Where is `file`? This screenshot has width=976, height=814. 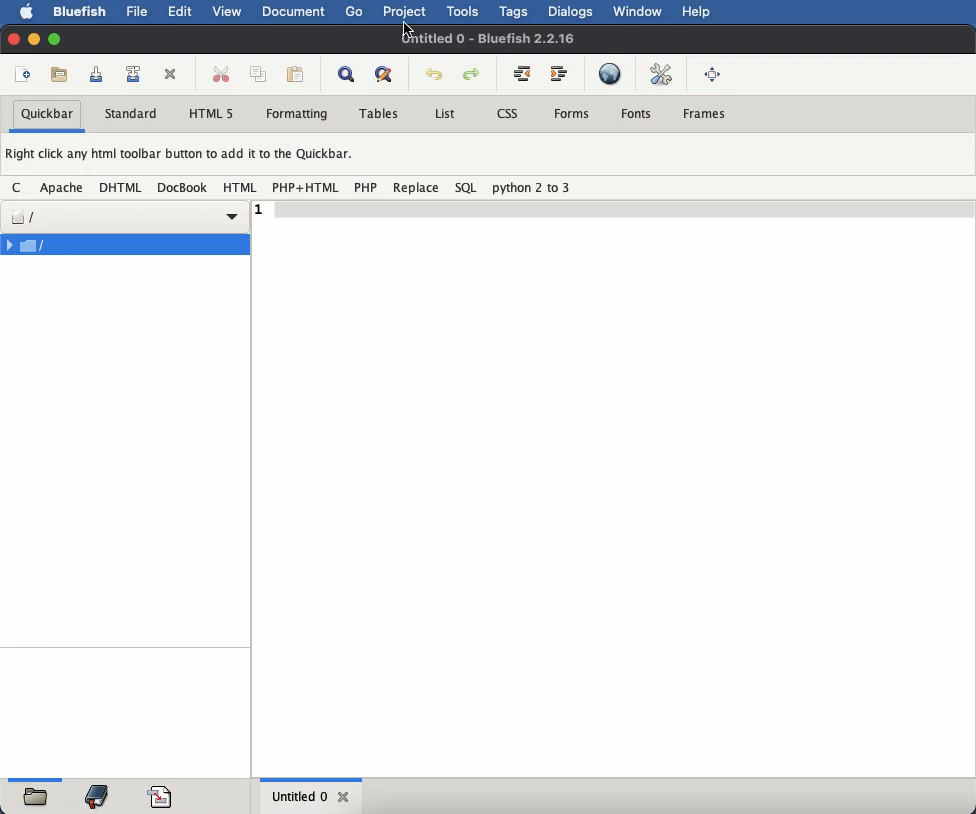 file is located at coordinates (123, 218).